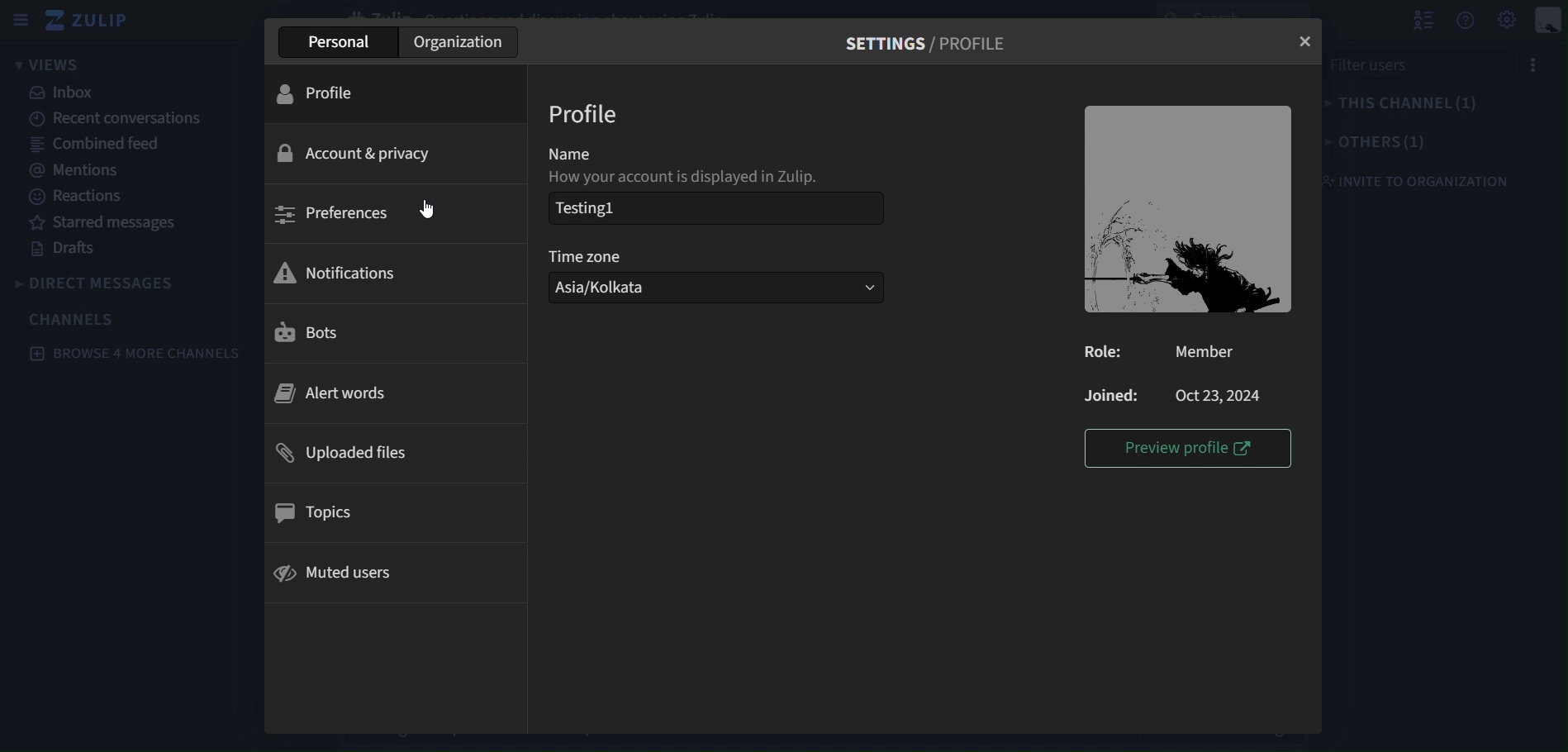 Image resolution: width=1568 pixels, height=752 pixels. I want to click on Role Member, so click(1169, 351).